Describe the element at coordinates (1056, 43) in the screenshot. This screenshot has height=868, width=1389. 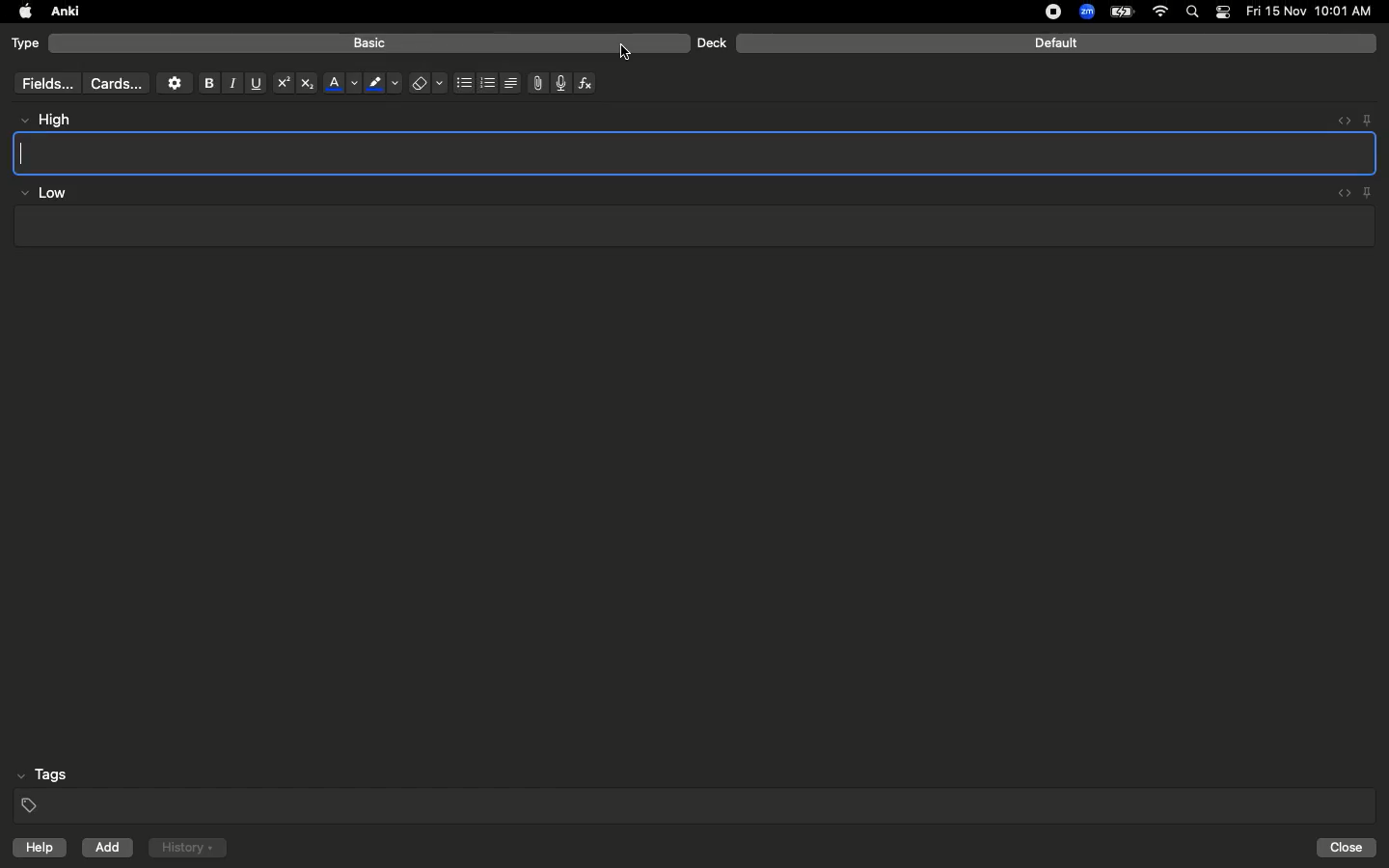
I see `Default` at that location.